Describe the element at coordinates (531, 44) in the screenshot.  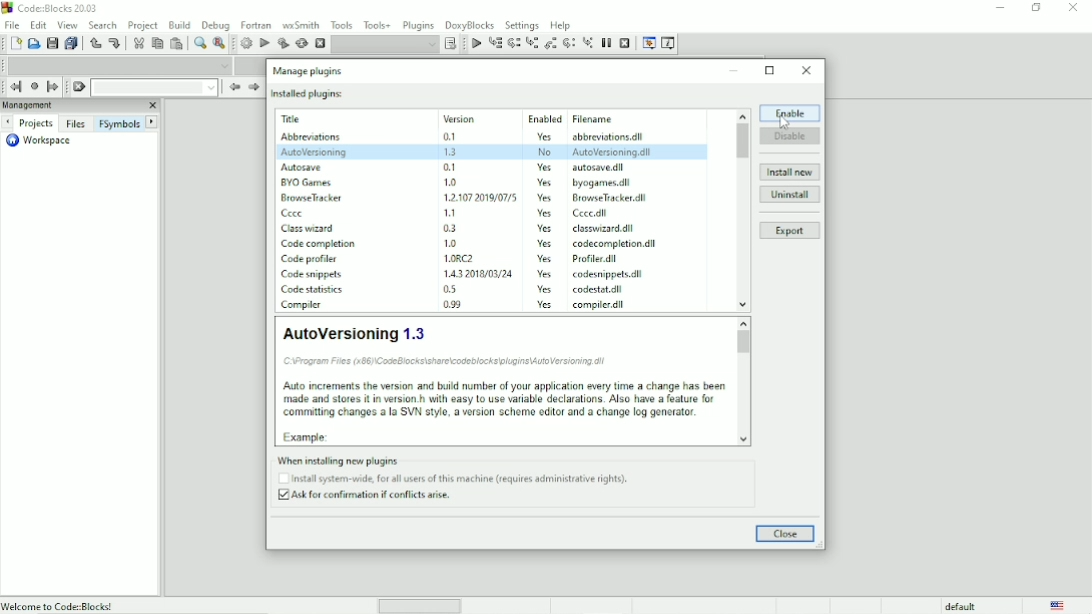
I see `Step into` at that location.